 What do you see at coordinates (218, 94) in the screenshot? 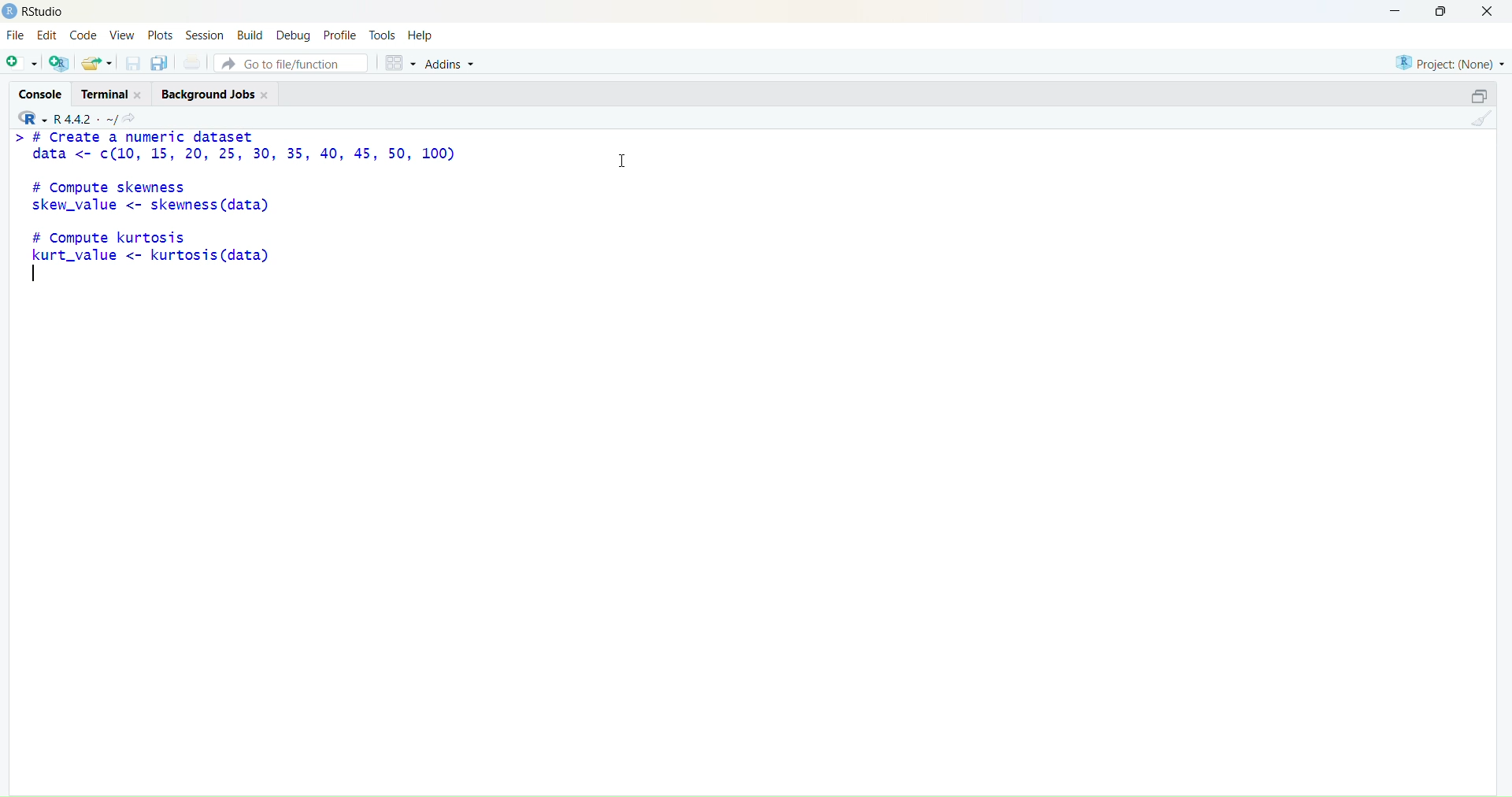
I see `Background Jobs` at bounding box center [218, 94].